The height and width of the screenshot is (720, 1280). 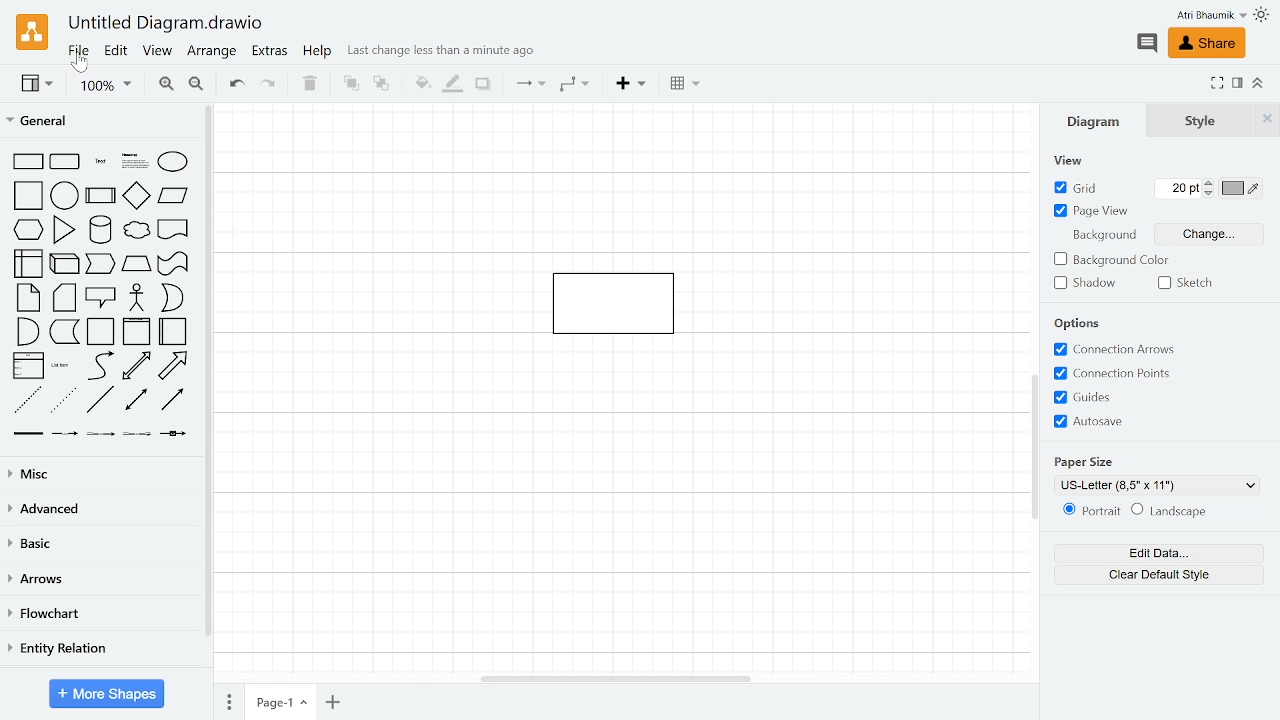 What do you see at coordinates (102, 474) in the screenshot?
I see `Misc` at bounding box center [102, 474].